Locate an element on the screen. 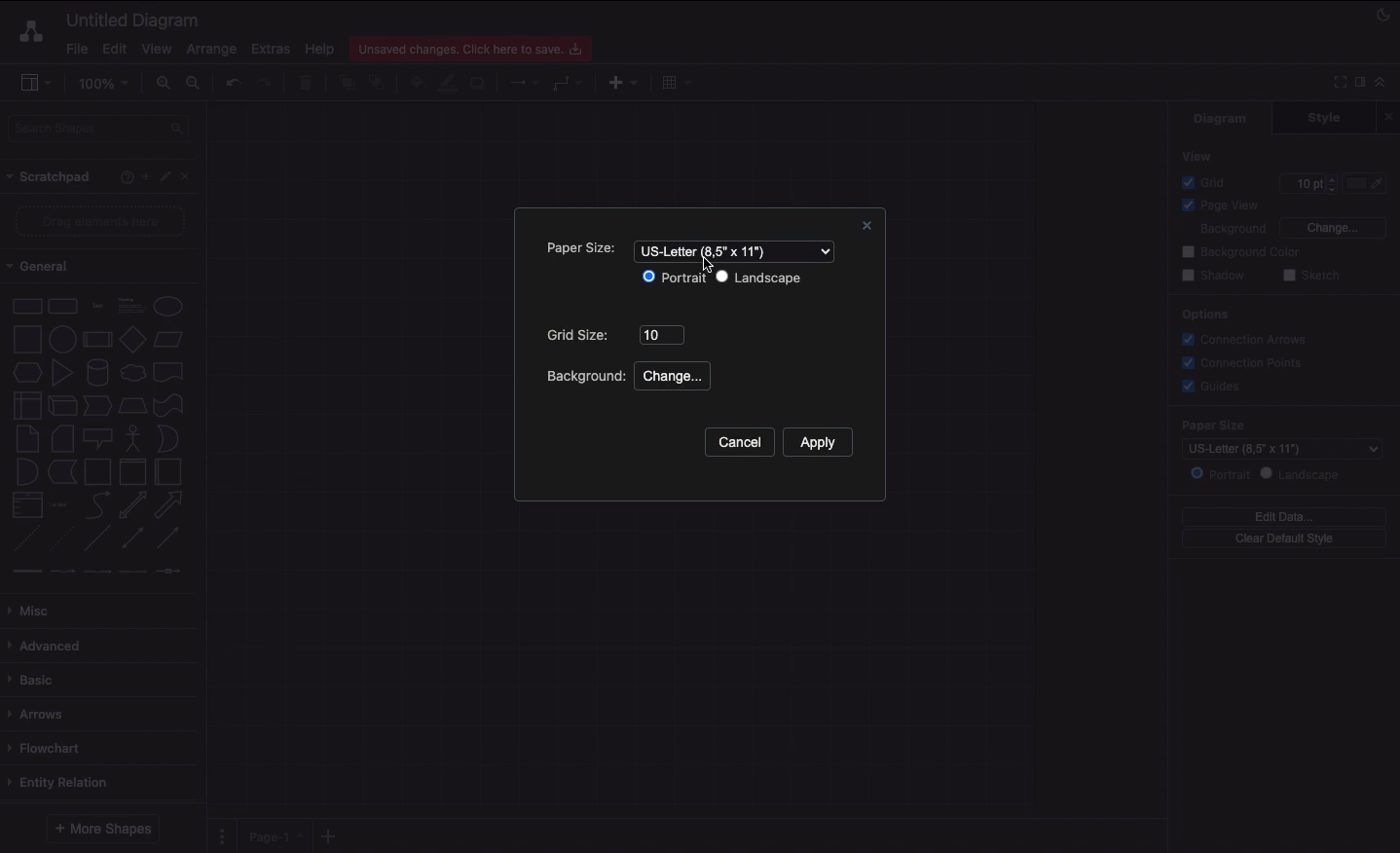  Circle is located at coordinates (62, 337).